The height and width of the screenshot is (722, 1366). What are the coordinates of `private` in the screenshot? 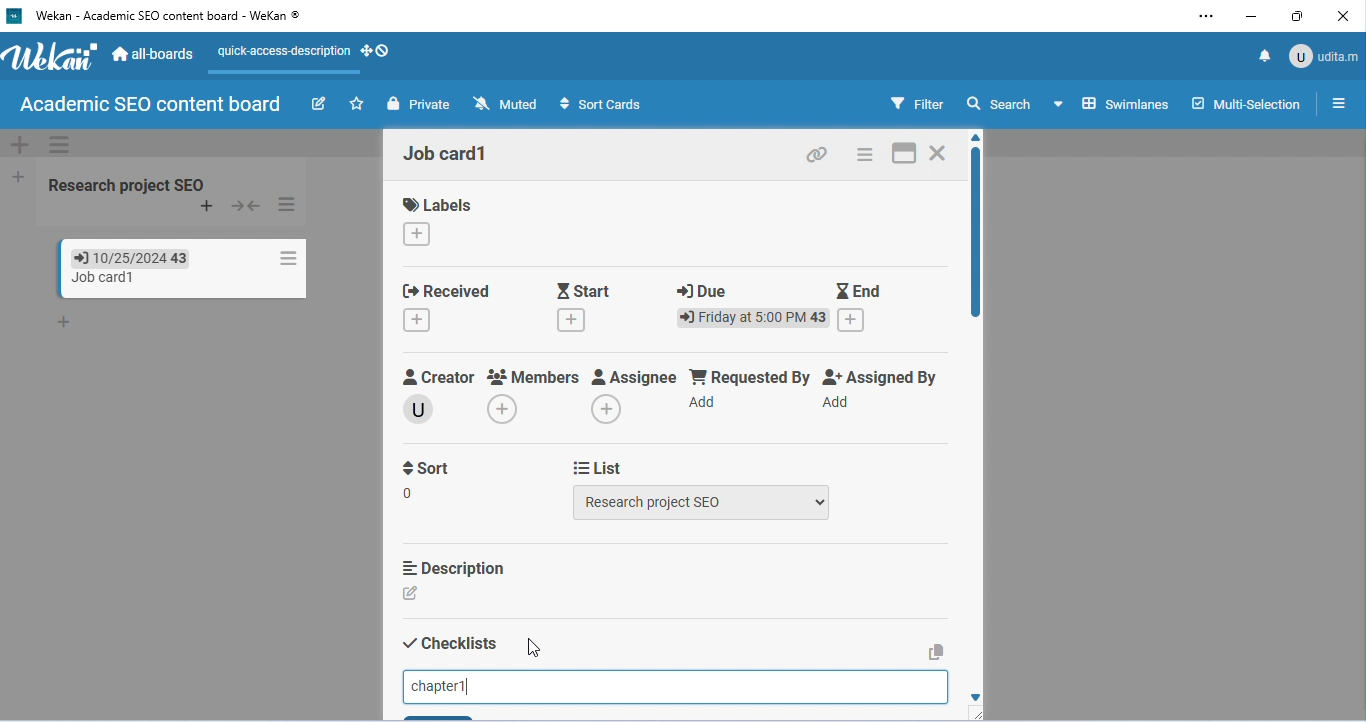 It's located at (418, 104).